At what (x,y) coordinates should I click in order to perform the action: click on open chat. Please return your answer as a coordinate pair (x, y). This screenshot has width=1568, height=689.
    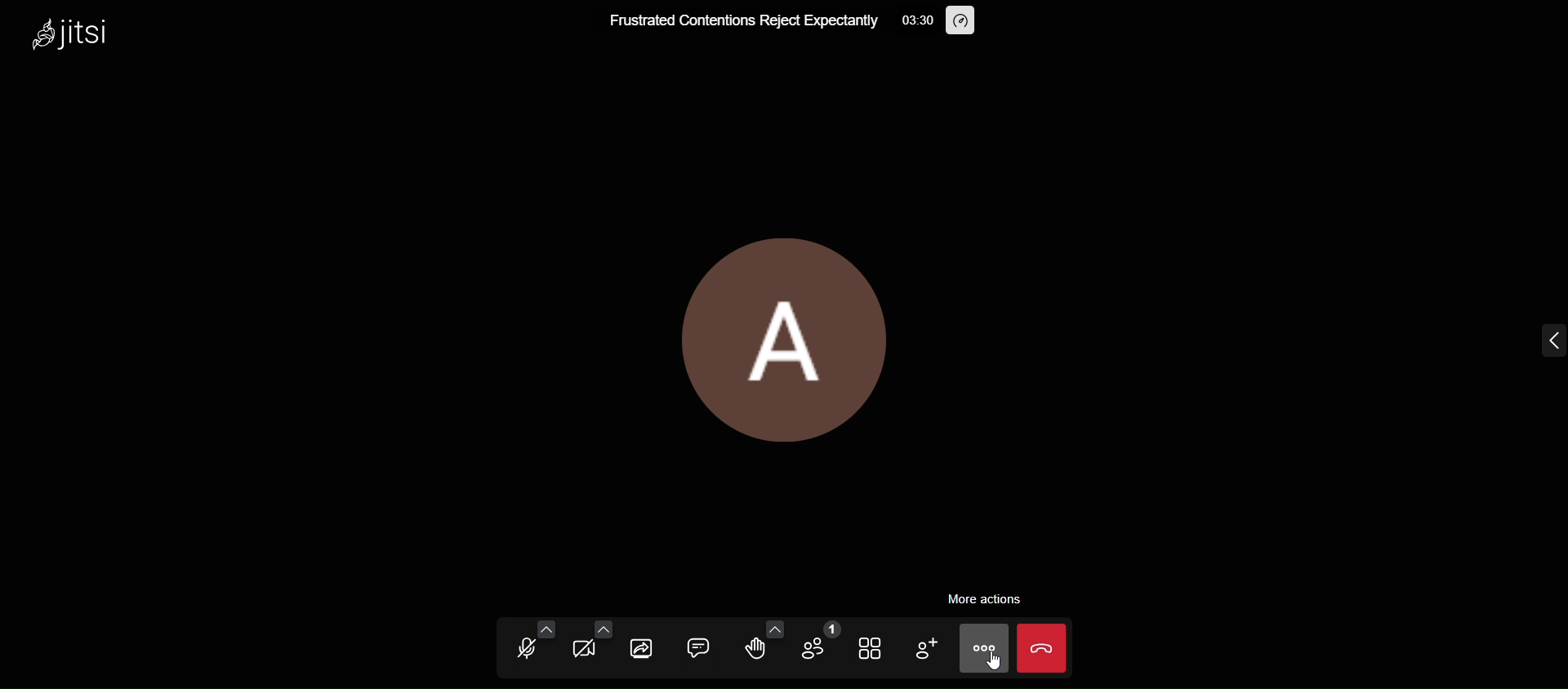
    Looking at the image, I should click on (696, 646).